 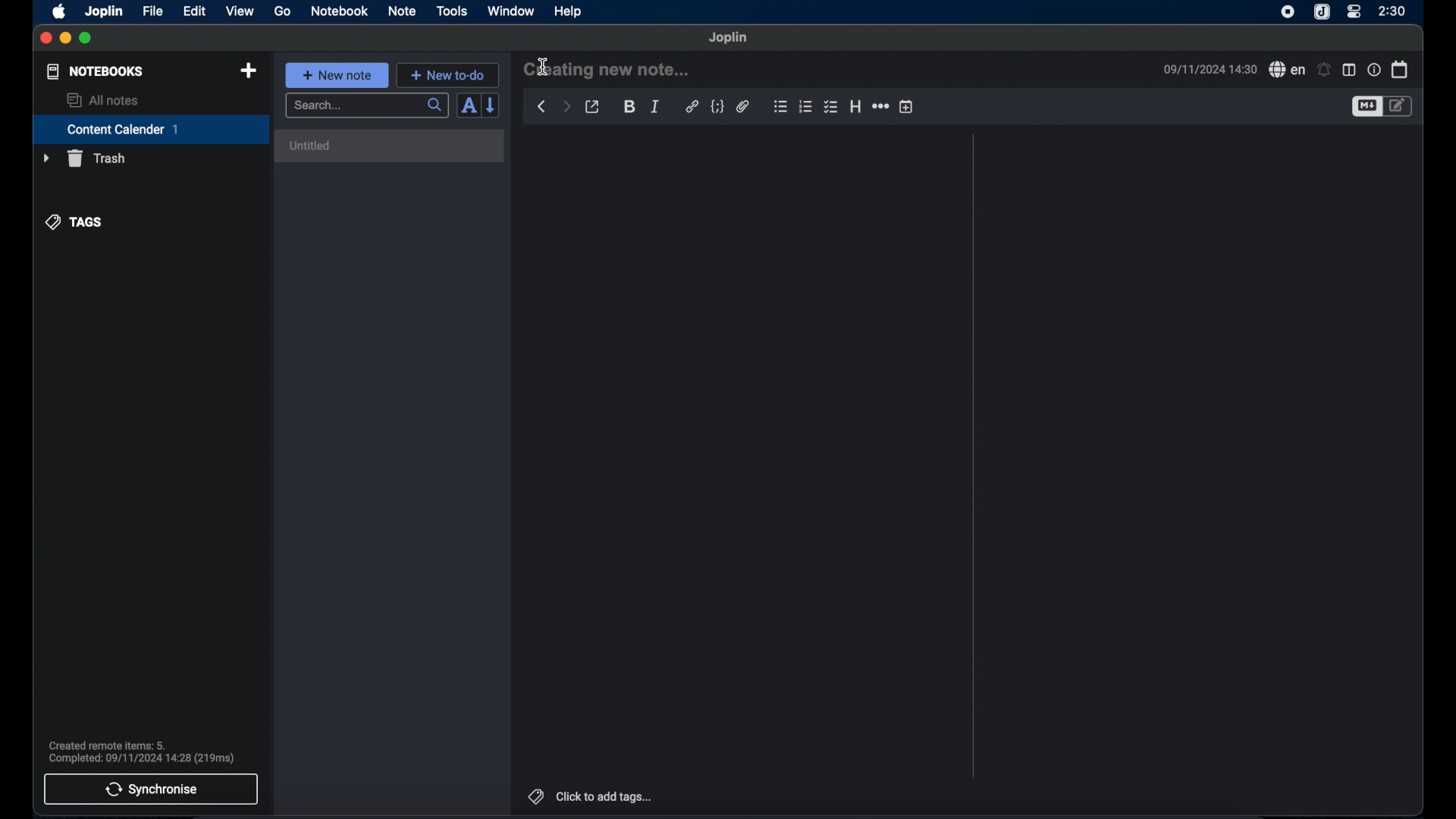 What do you see at coordinates (744, 106) in the screenshot?
I see `attach file` at bounding box center [744, 106].